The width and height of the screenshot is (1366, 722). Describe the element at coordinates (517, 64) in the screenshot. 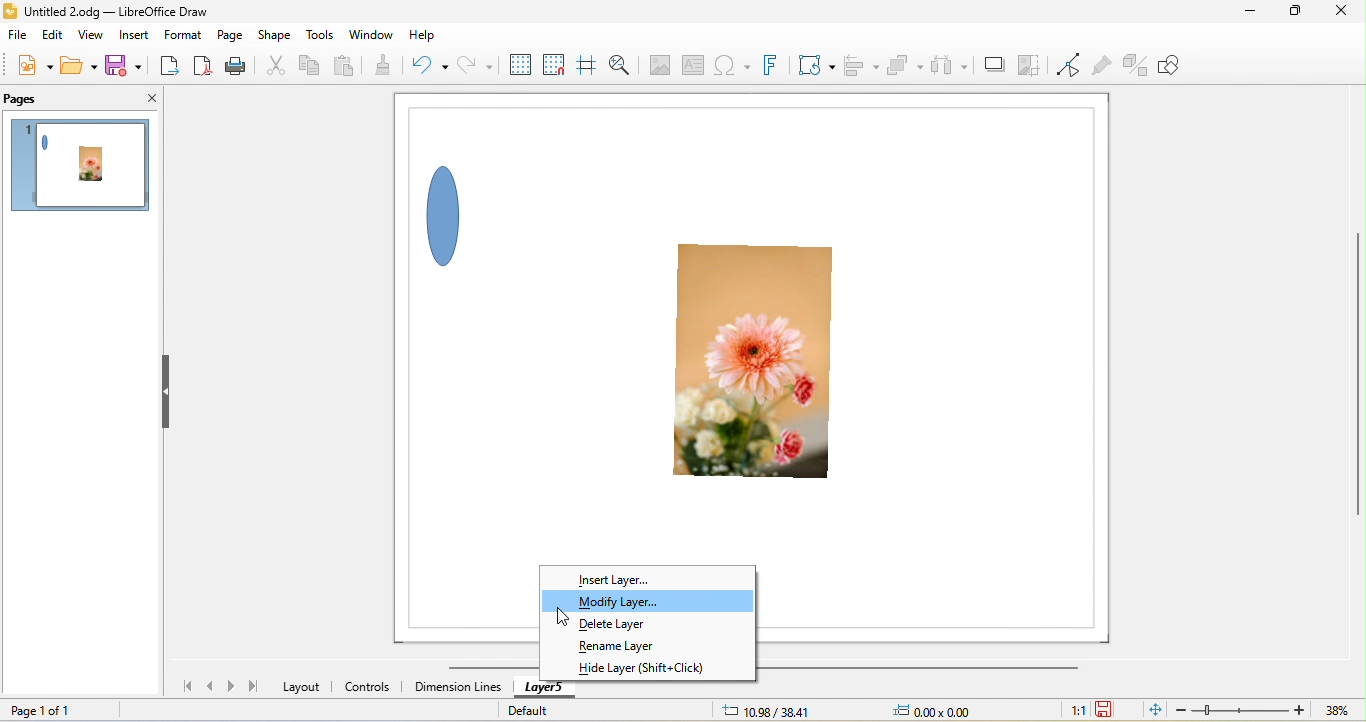

I see `display grid` at that location.